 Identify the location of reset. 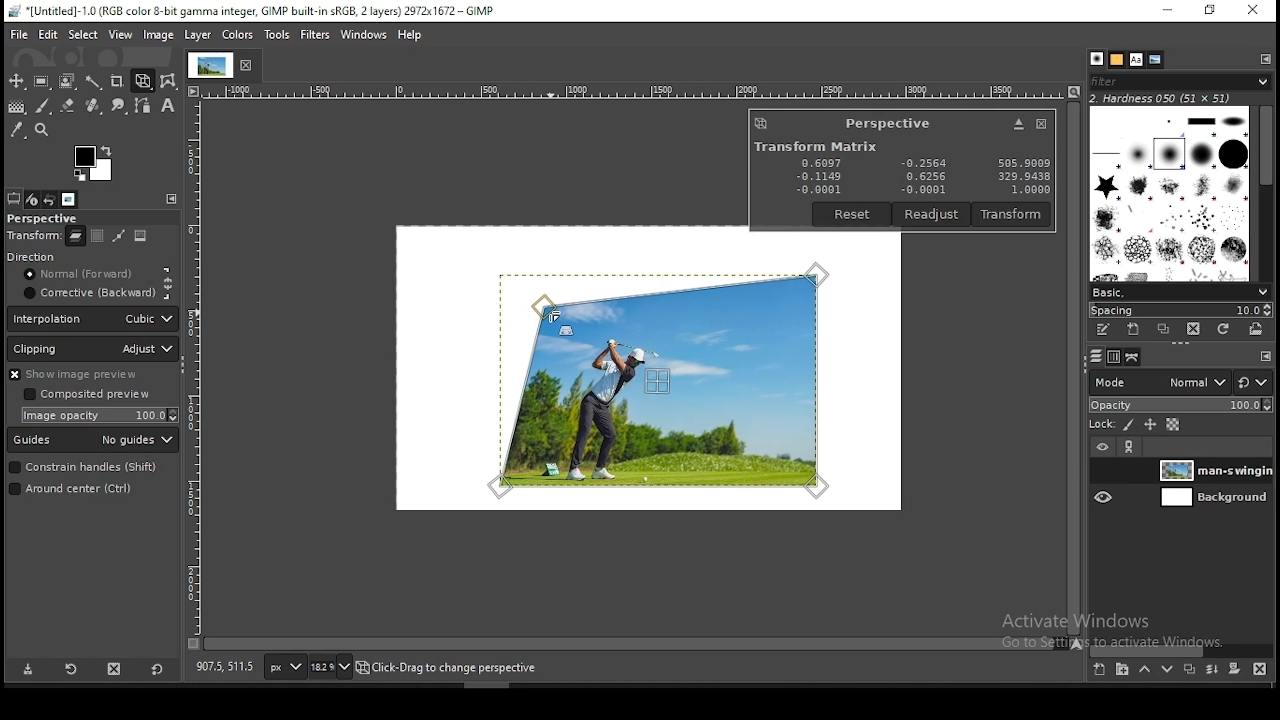
(853, 214).